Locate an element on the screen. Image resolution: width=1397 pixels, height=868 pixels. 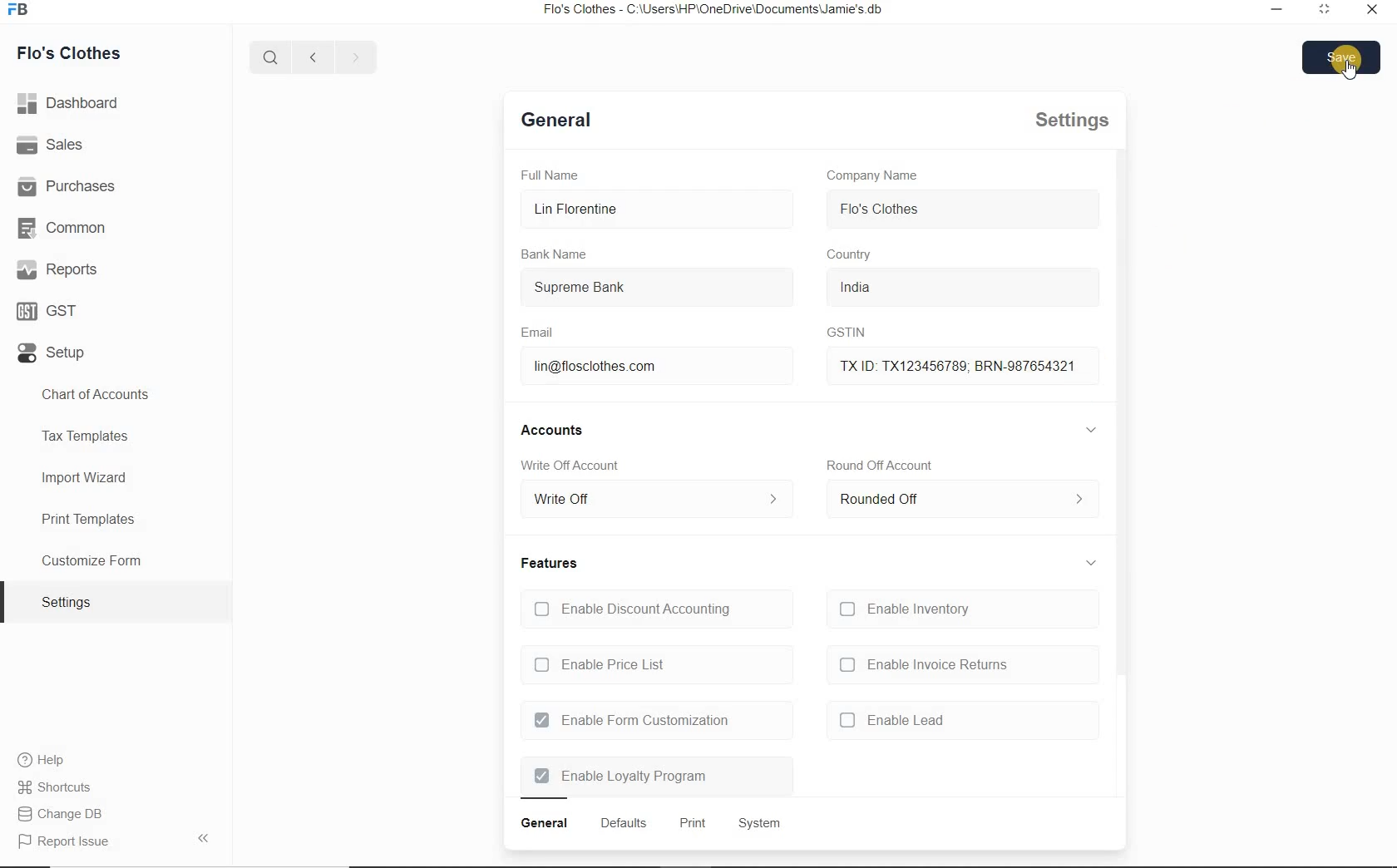
settings is located at coordinates (1065, 121).